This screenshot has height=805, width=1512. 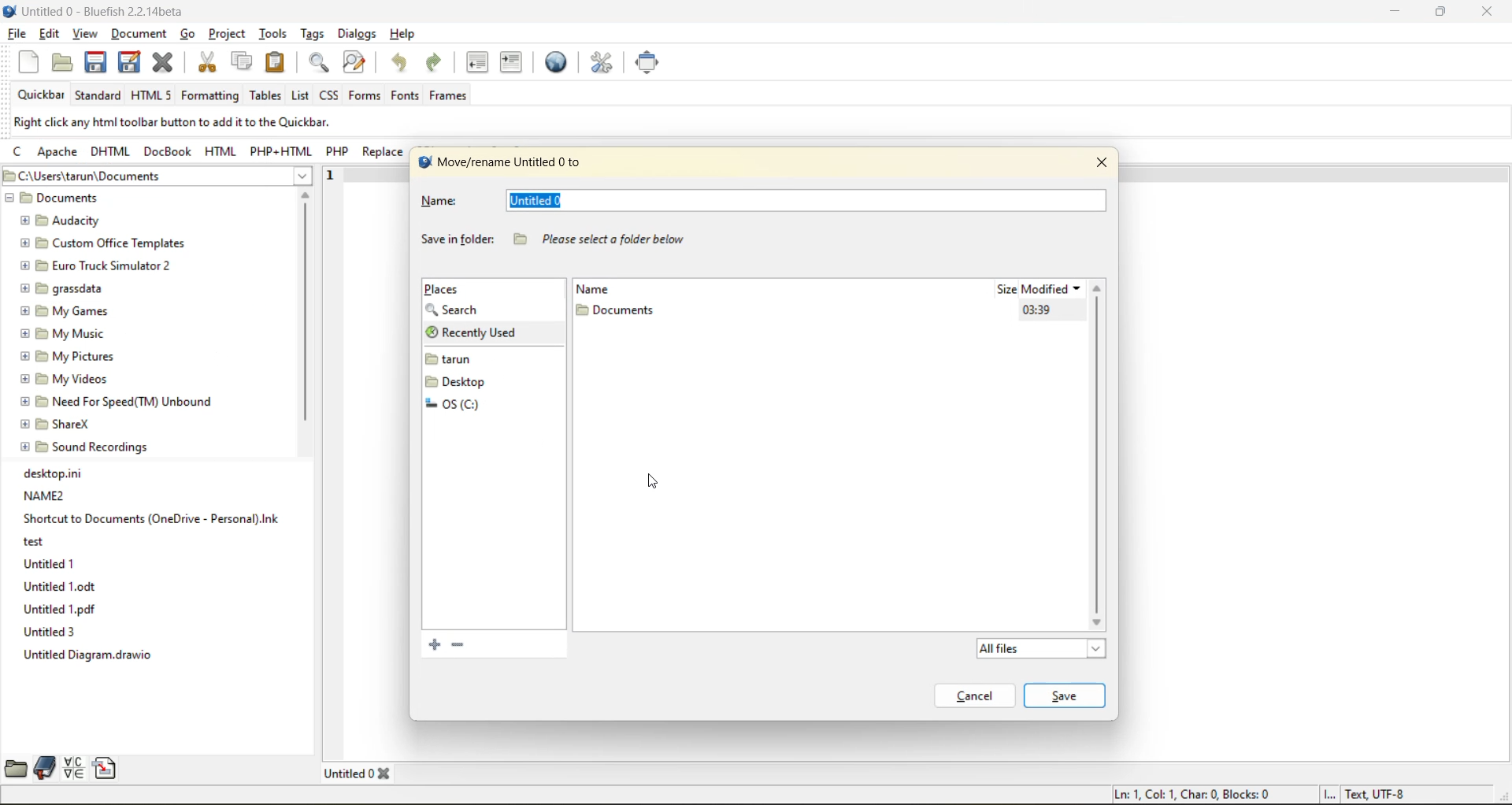 I want to click on edit preferences, so click(x=600, y=62).